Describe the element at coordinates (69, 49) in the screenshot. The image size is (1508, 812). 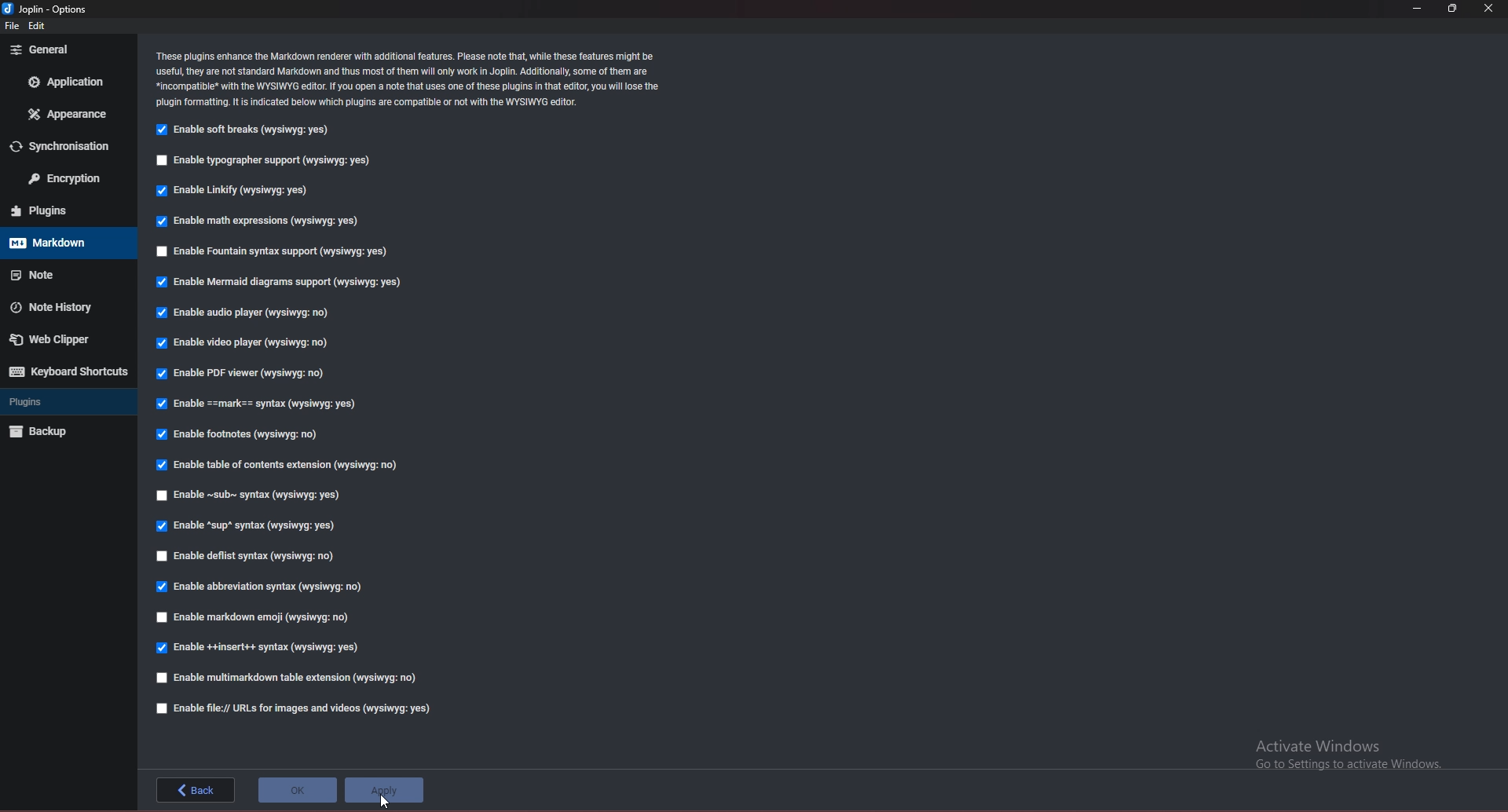
I see `general` at that location.